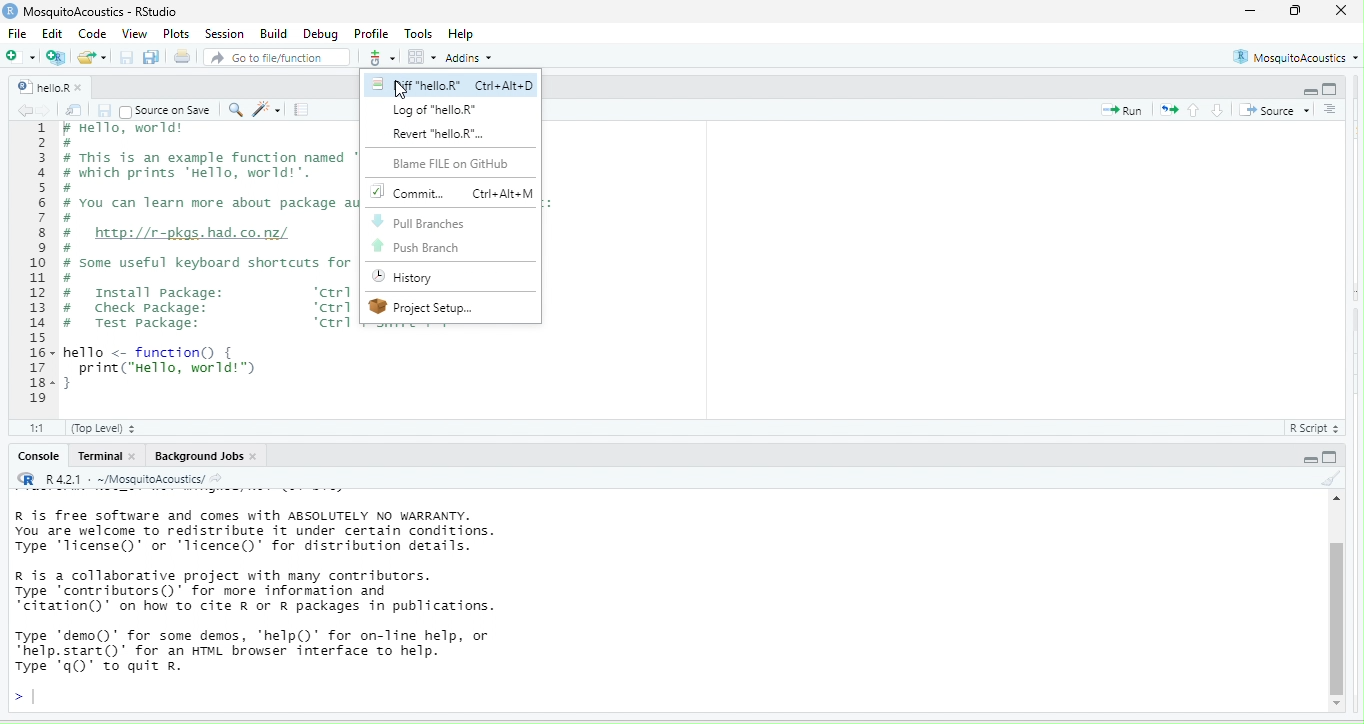 Image resolution: width=1364 pixels, height=724 pixels. I want to click on  Help, so click(463, 34).